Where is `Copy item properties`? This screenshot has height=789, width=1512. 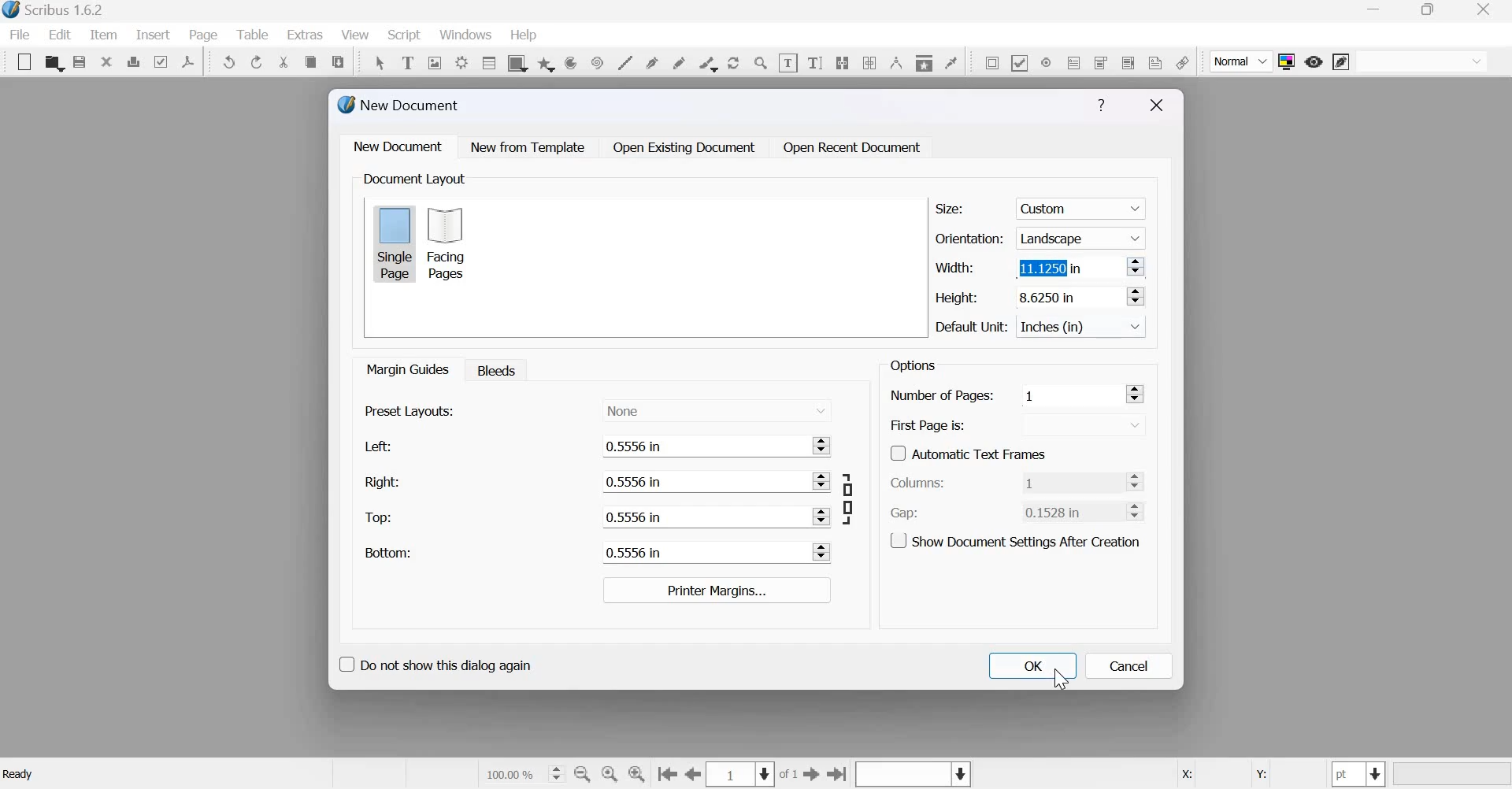 Copy item properties is located at coordinates (923, 61).